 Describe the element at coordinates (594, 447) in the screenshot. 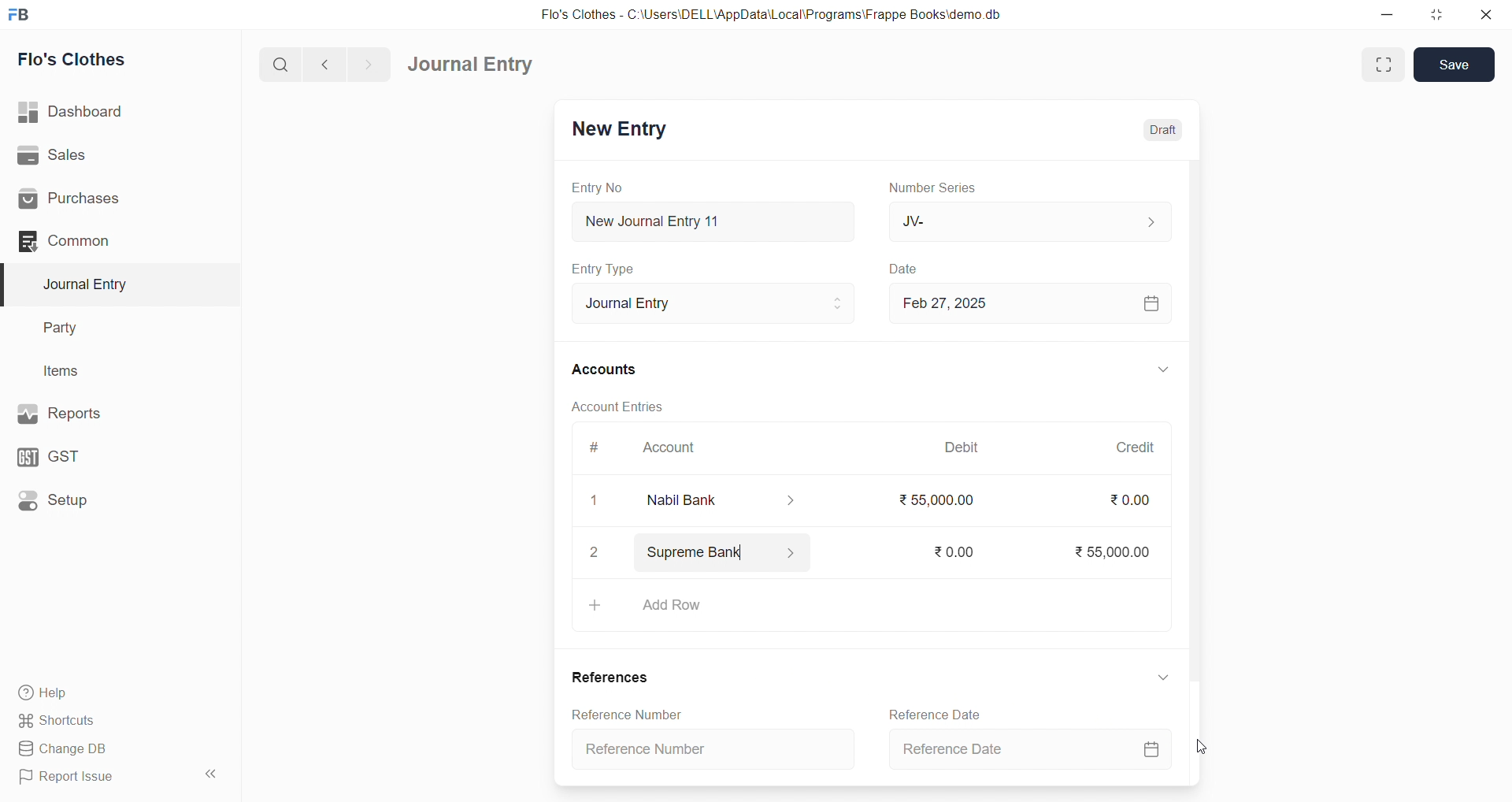

I see `#` at that location.